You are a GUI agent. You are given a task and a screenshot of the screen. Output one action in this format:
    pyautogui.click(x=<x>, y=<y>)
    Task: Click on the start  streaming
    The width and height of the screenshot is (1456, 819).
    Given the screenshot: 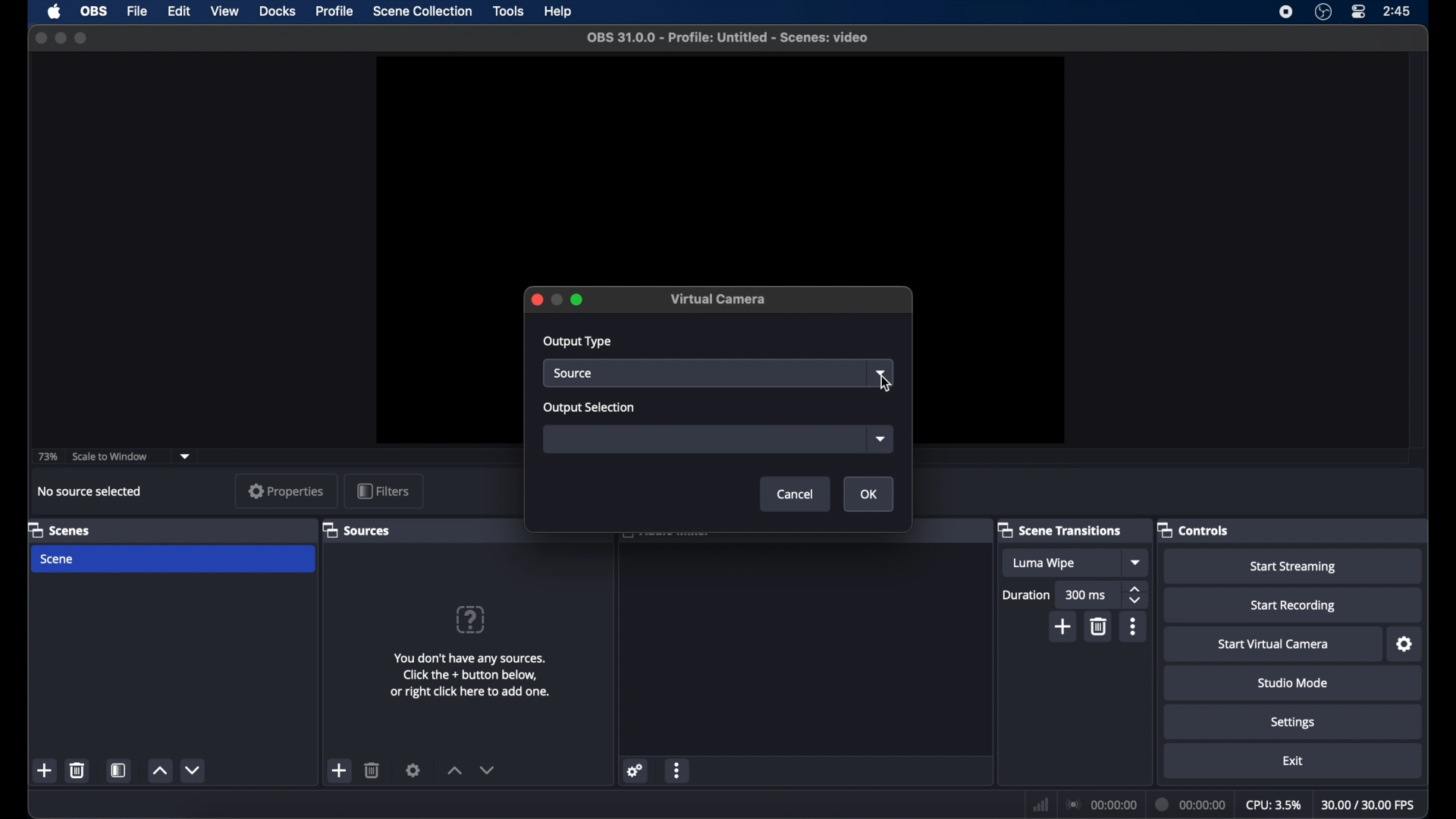 What is the action you would take?
    pyautogui.click(x=1294, y=567)
    